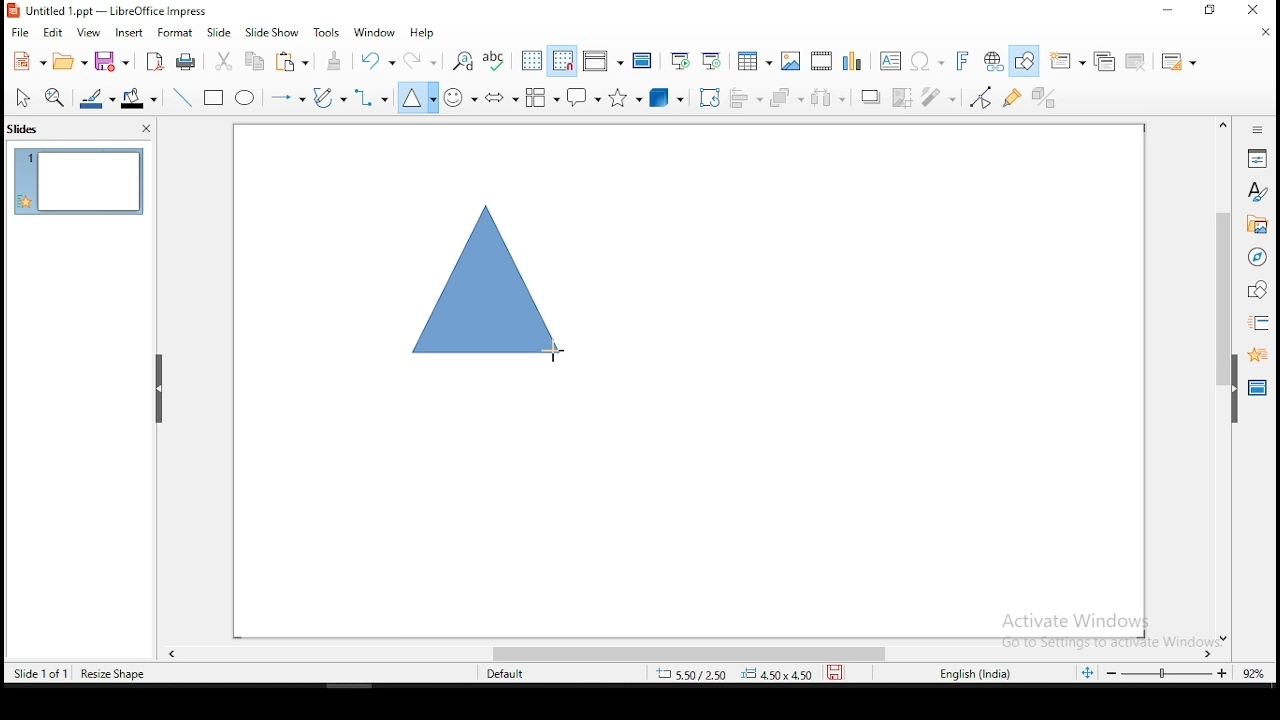  Describe the element at coordinates (1262, 322) in the screenshot. I see `slide transition` at that location.